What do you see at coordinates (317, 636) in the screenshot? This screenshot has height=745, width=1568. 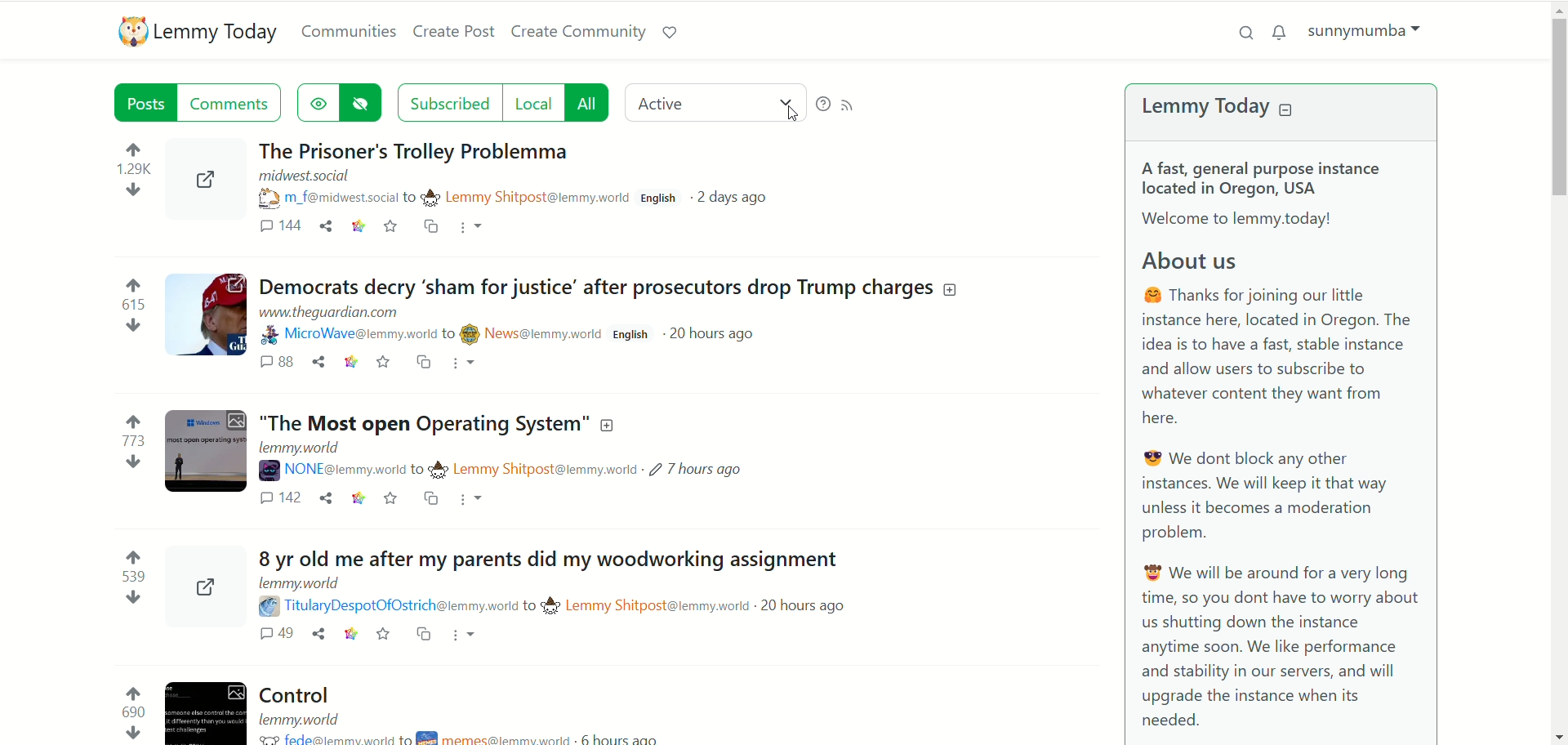 I see `share` at bounding box center [317, 636].